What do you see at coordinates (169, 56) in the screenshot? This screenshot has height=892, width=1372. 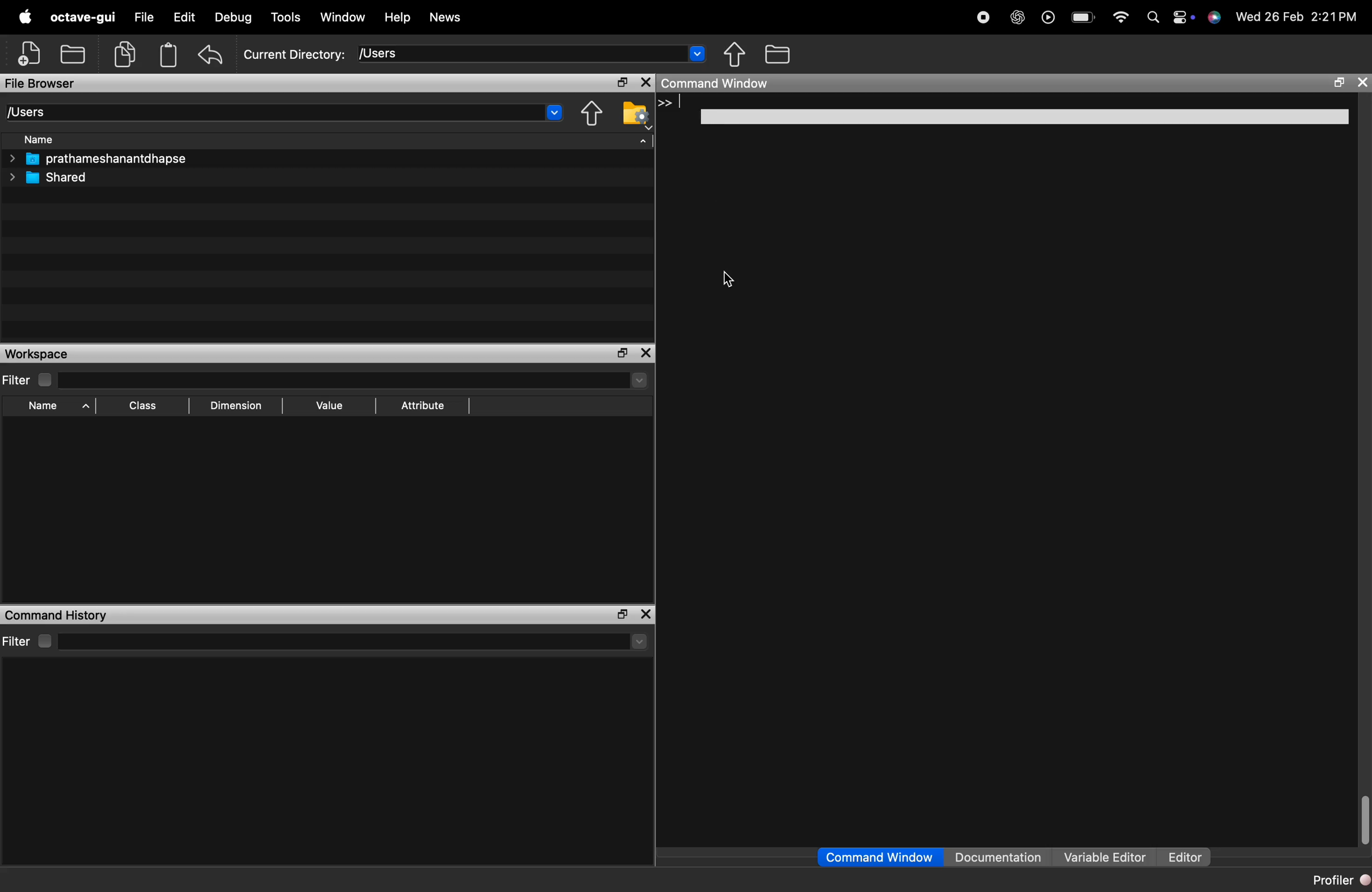 I see `storage` at bounding box center [169, 56].